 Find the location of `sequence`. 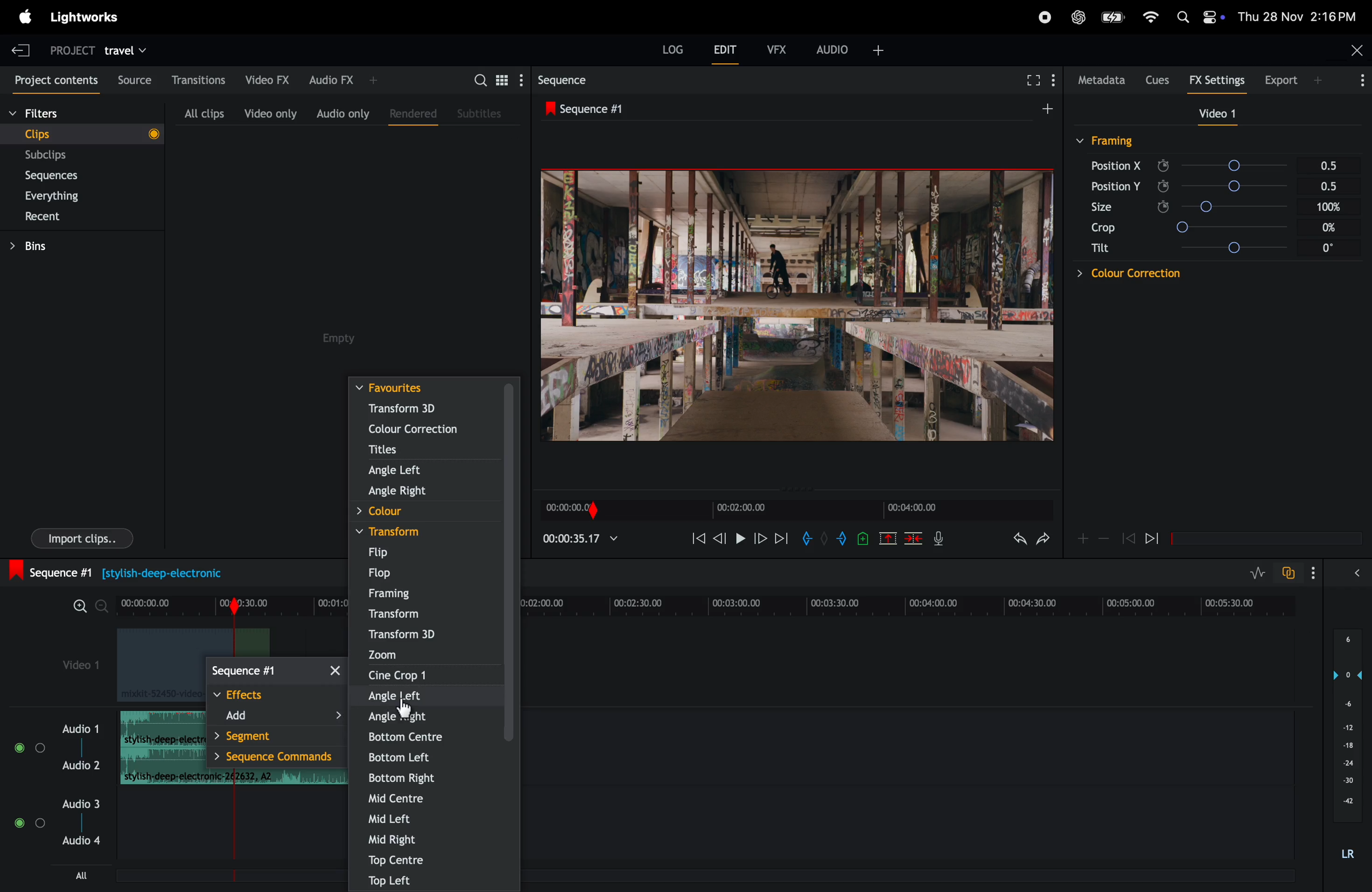

sequence is located at coordinates (593, 108).